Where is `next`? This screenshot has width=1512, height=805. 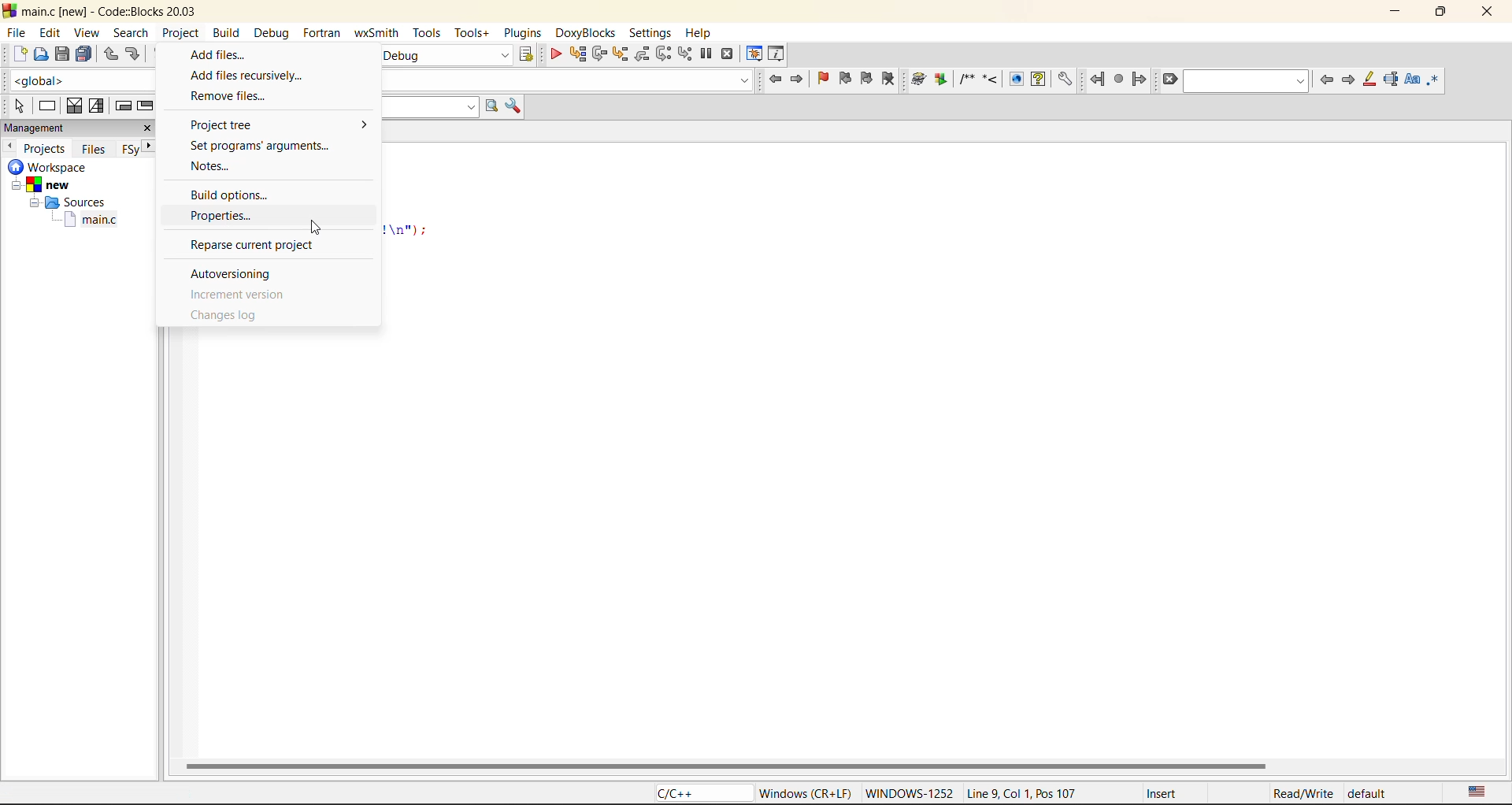
next is located at coordinates (1347, 82).